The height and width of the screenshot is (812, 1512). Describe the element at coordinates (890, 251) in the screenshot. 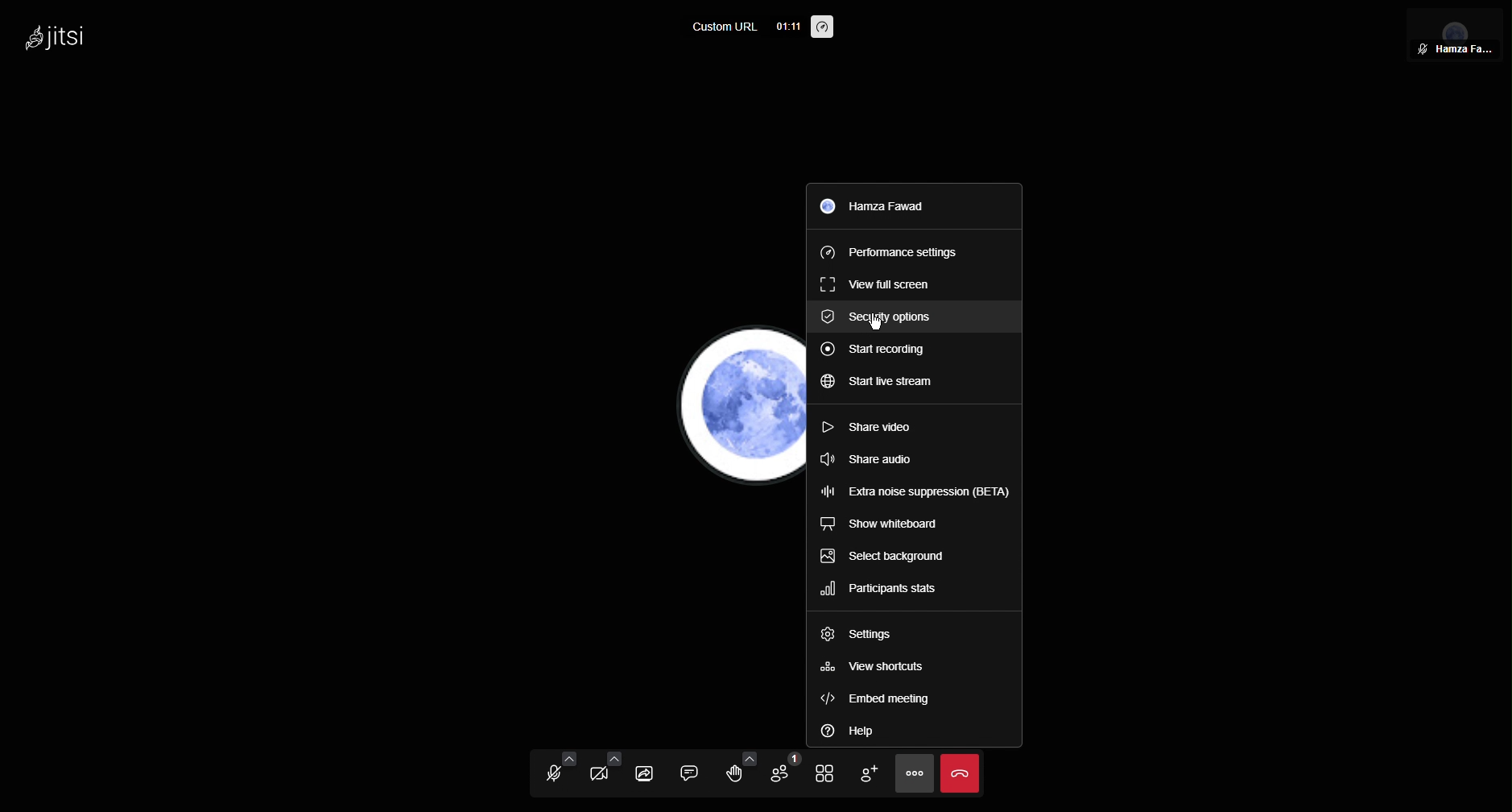

I see `Performance` at that location.